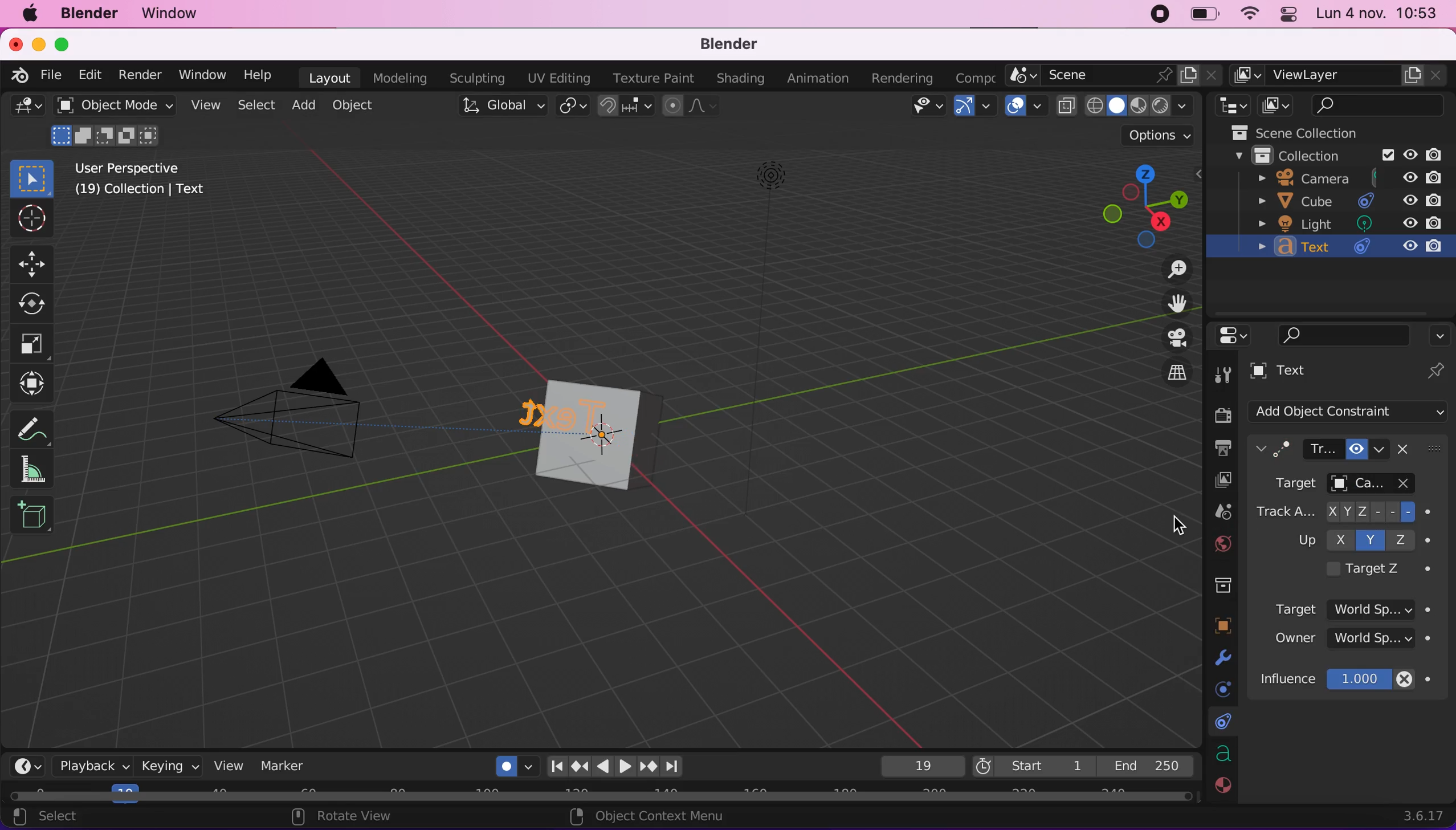  Describe the element at coordinates (1340, 180) in the screenshot. I see `camera` at that location.